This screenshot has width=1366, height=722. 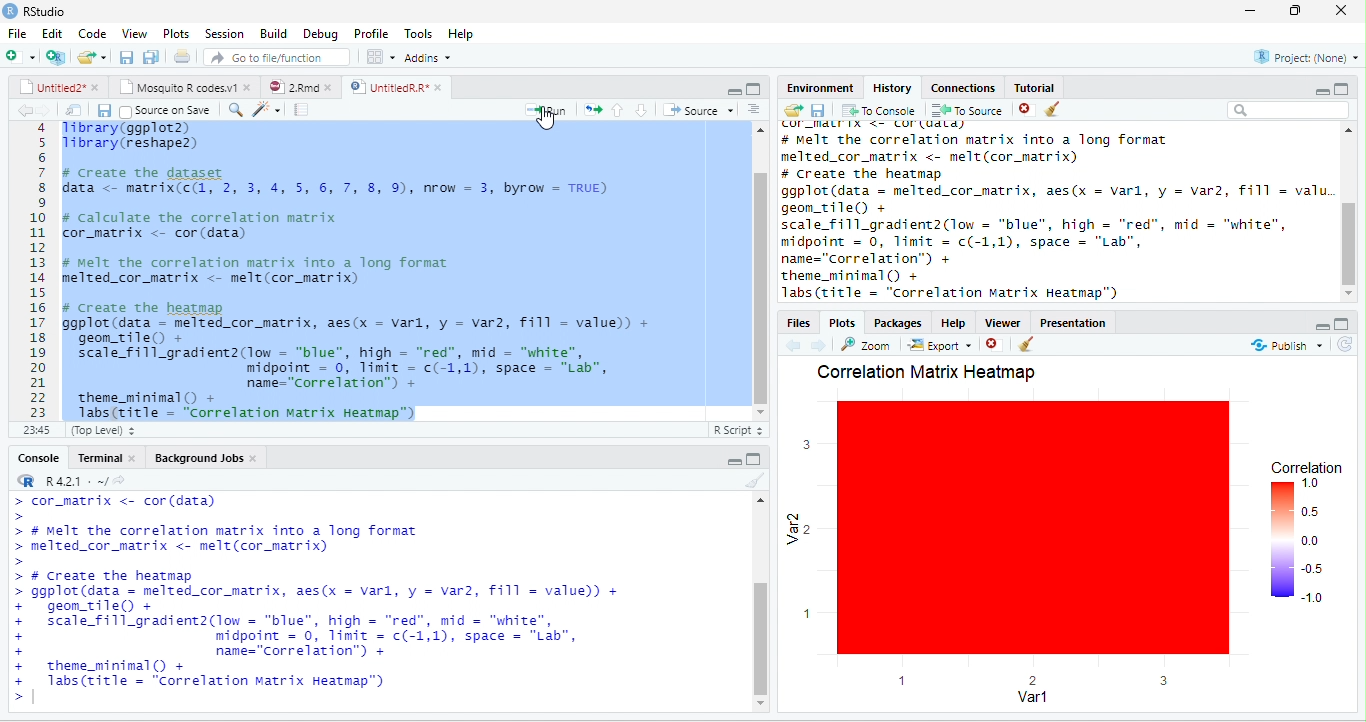 What do you see at coordinates (365, 268) in the screenshot?
I see `5 Tibrary(reshapez)

6

7 # Create the dataset

§ data <- matrix(c(, 2, 3, 4, 5, 6, 7, 8, 9), nrow = 3, byrow = TRUE)
9

0 # calculate the correlation matrix

1 cor_matrix <- cor (data)

2

3 # melt the correlation matrix into a long format

4 melted_cor_matrix <- melt(cor_matrix)

5

6 # Create the heatmap

7 ggplot(data - melted_cor_matrix, aes(x = varl, y = var2, fill = value)) +
8 geom_tileO +

9 scale_fill_gradient2(low = “blue”, high = “red”, mid = "white",

0 midpoint = 0, limit = c(-1,1), space = "Lab",
1 name="Correlation”) +

2 theme_minimal() +

BN 1absBritle = “Correlation Matrix Heatman™M` at bounding box center [365, 268].